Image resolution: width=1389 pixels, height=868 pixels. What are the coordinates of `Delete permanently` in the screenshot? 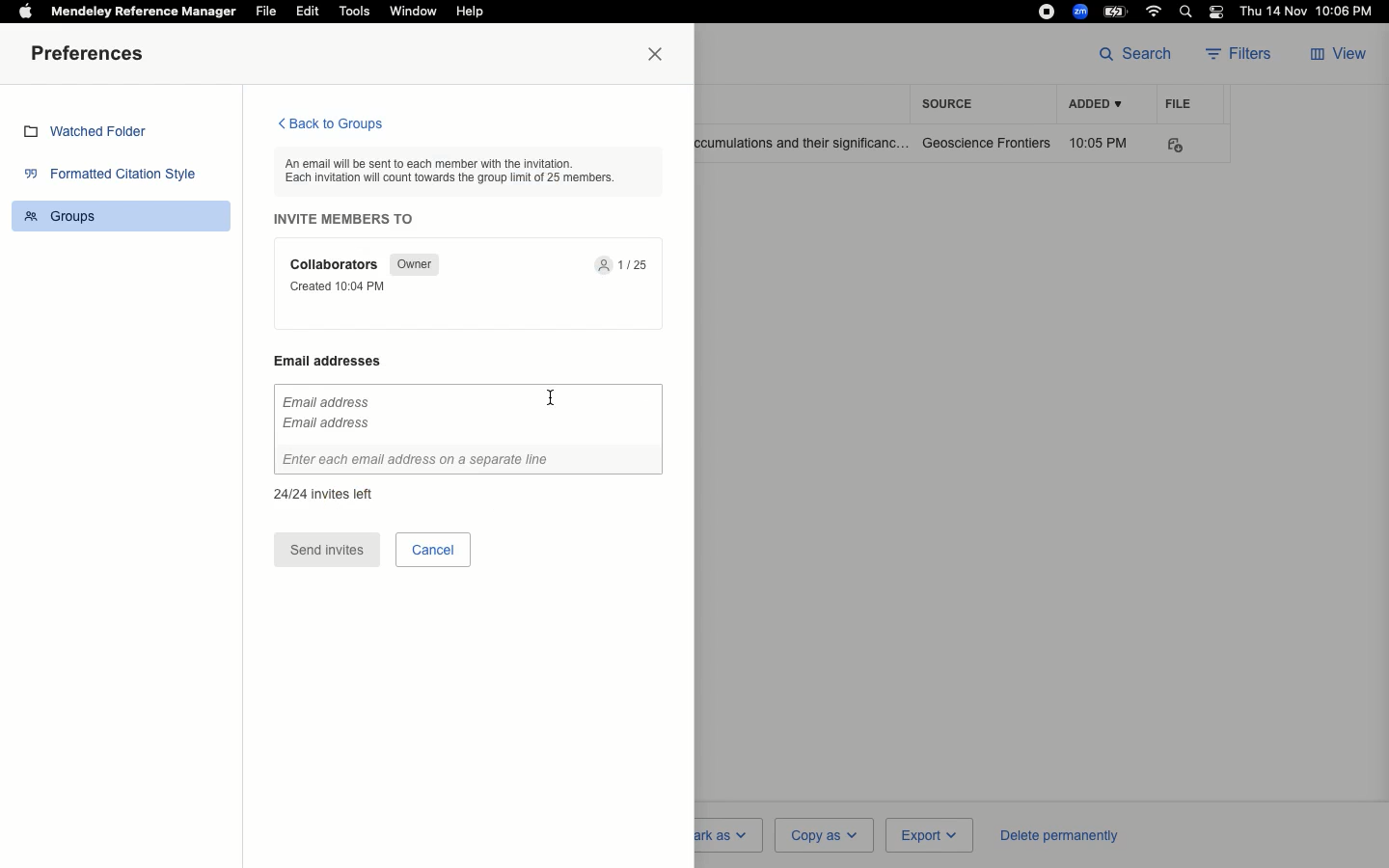 It's located at (1055, 834).